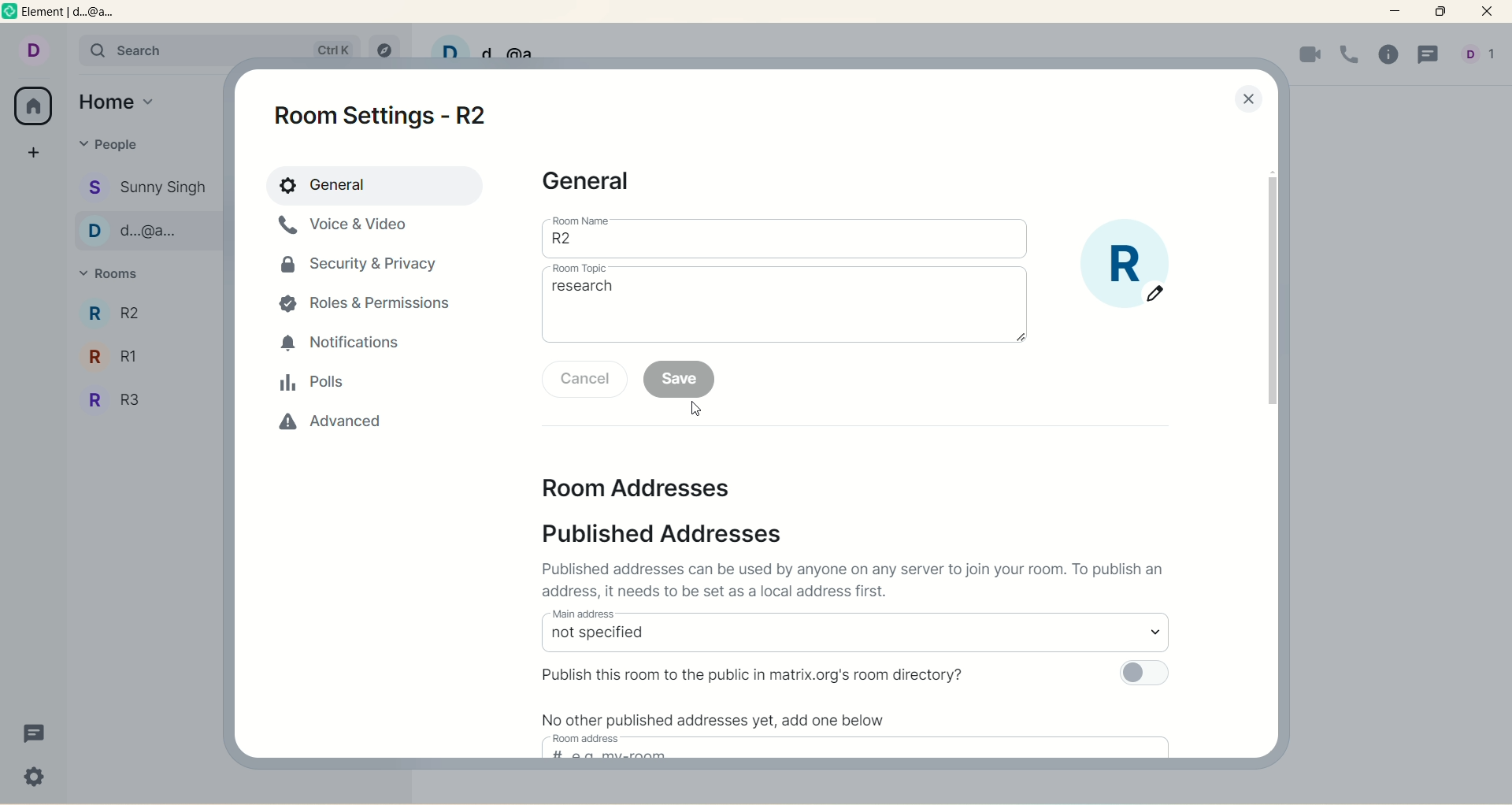  What do you see at coordinates (680, 380) in the screenshot?
I see `save` at bounding box center [680, 380].